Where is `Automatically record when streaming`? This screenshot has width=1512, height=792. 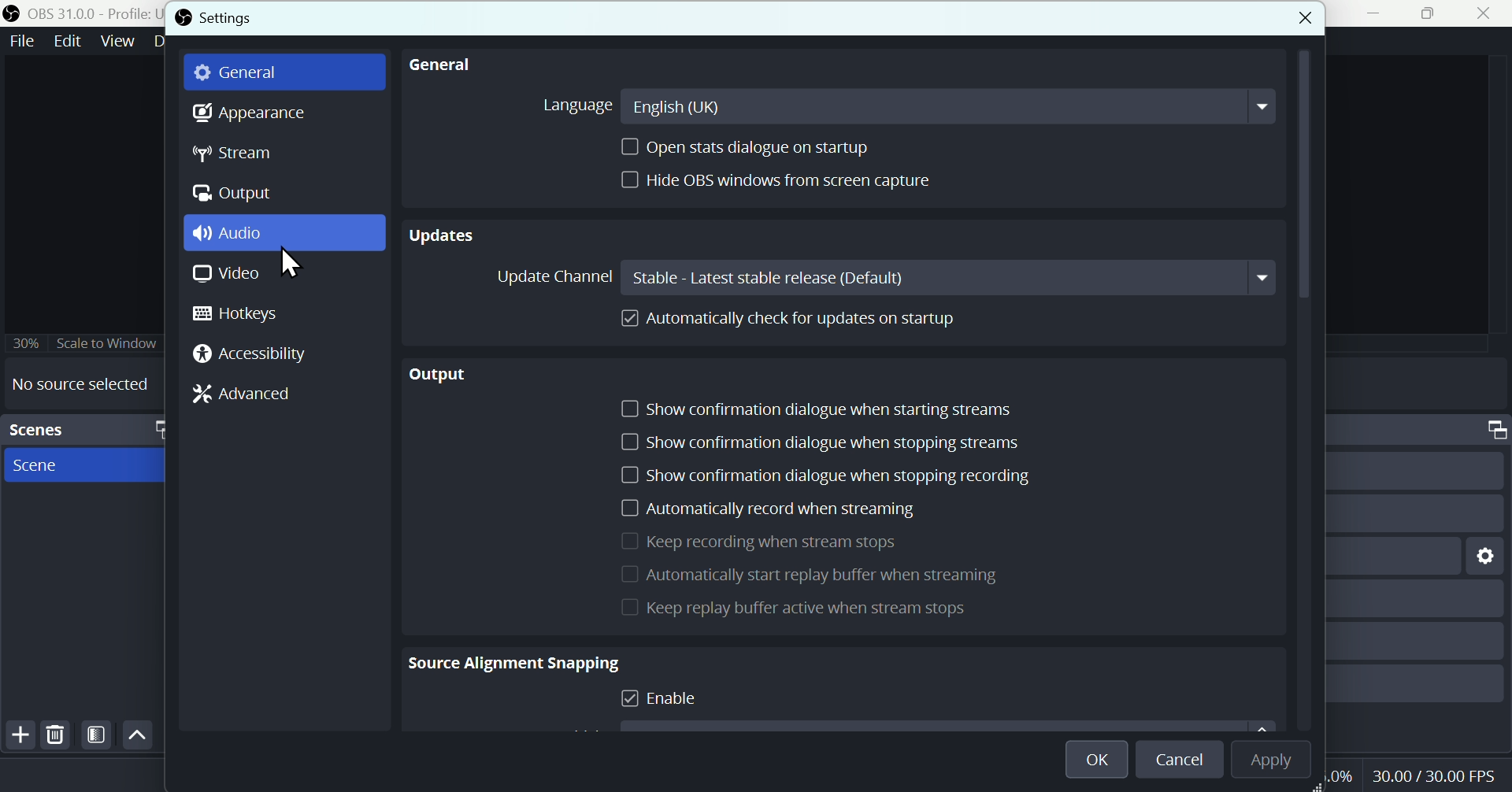
Automatically record when streaming is located at coordinates (769, 511).